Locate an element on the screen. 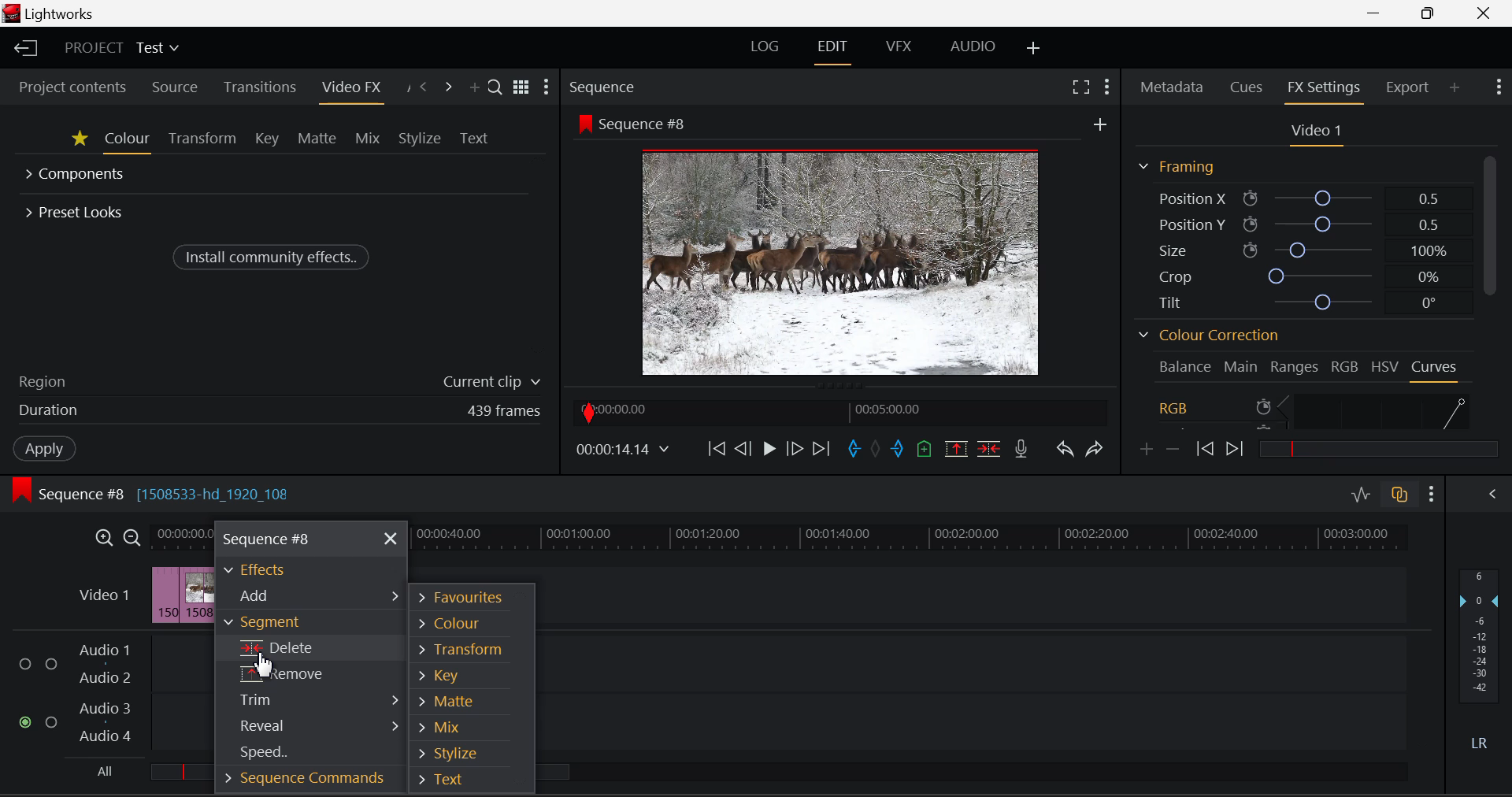 Image resolution: width=1512 pixels, height=797 pixels. Sequence Commands is located at coordinates (303, 781).